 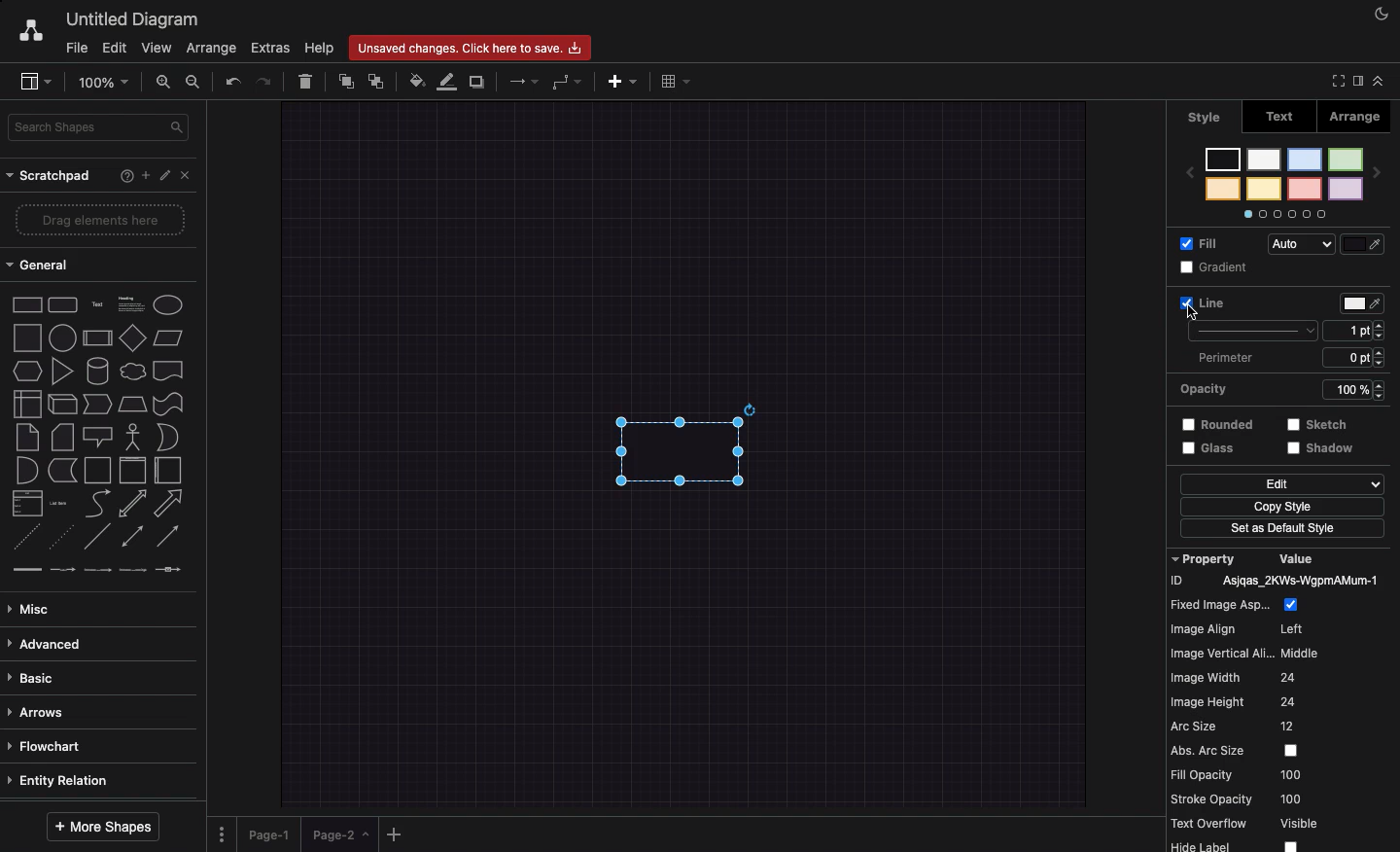 I want to click on Gradient, so click(x=1217, y=267).